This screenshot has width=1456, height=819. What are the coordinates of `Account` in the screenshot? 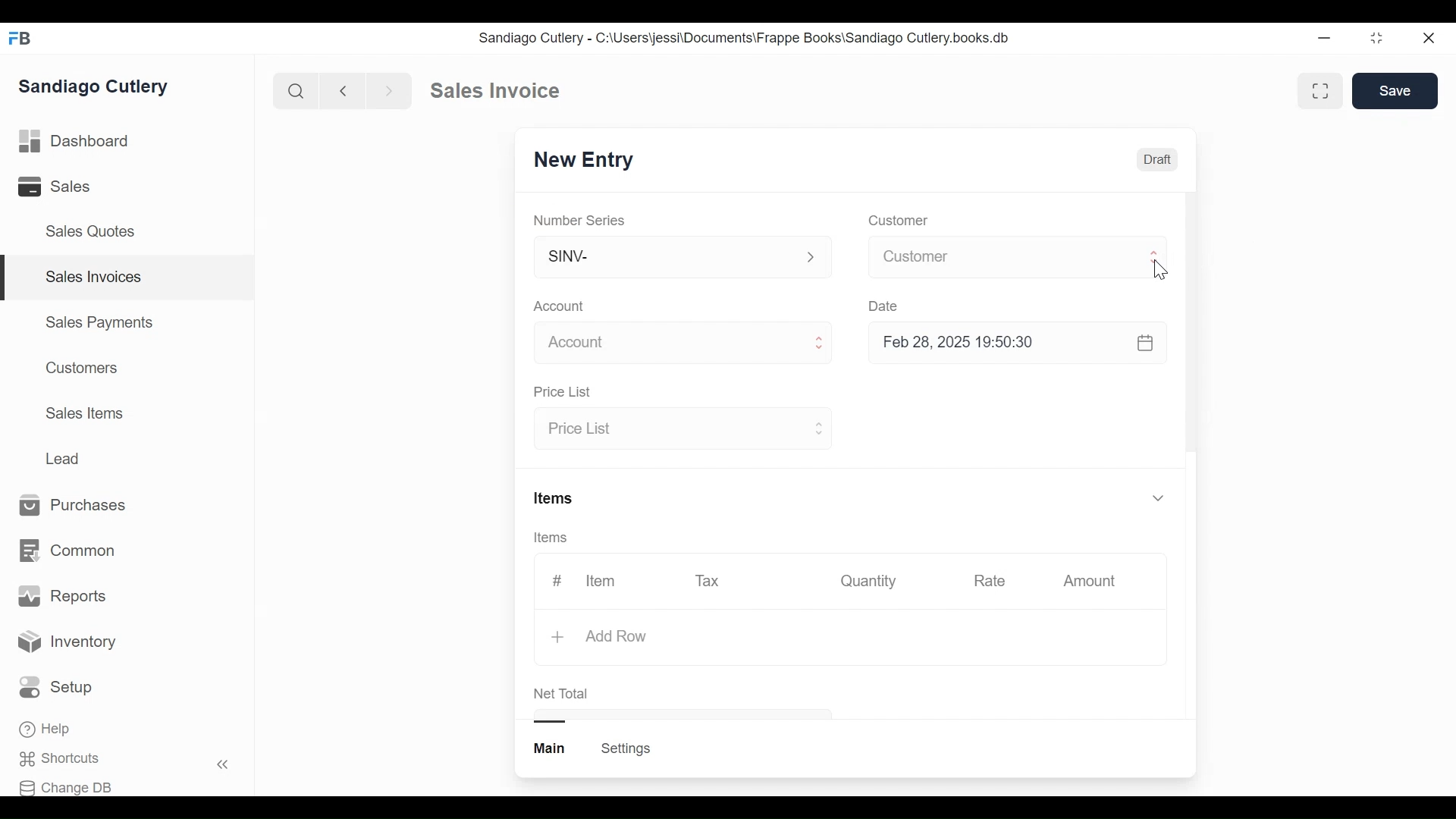 It's located at (560, 306).